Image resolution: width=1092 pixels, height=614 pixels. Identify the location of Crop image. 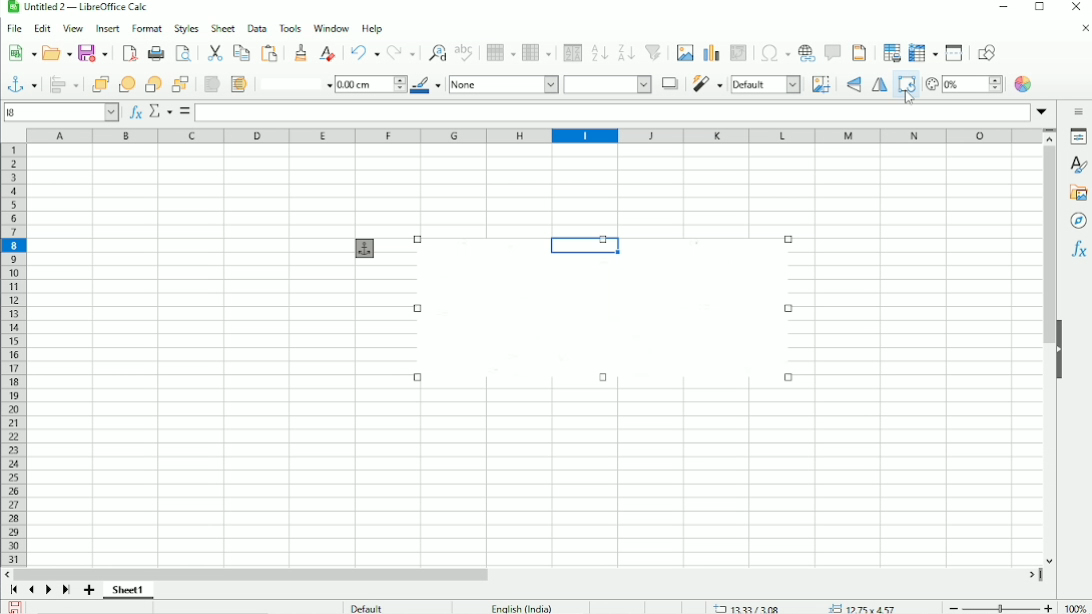
(822, 84).